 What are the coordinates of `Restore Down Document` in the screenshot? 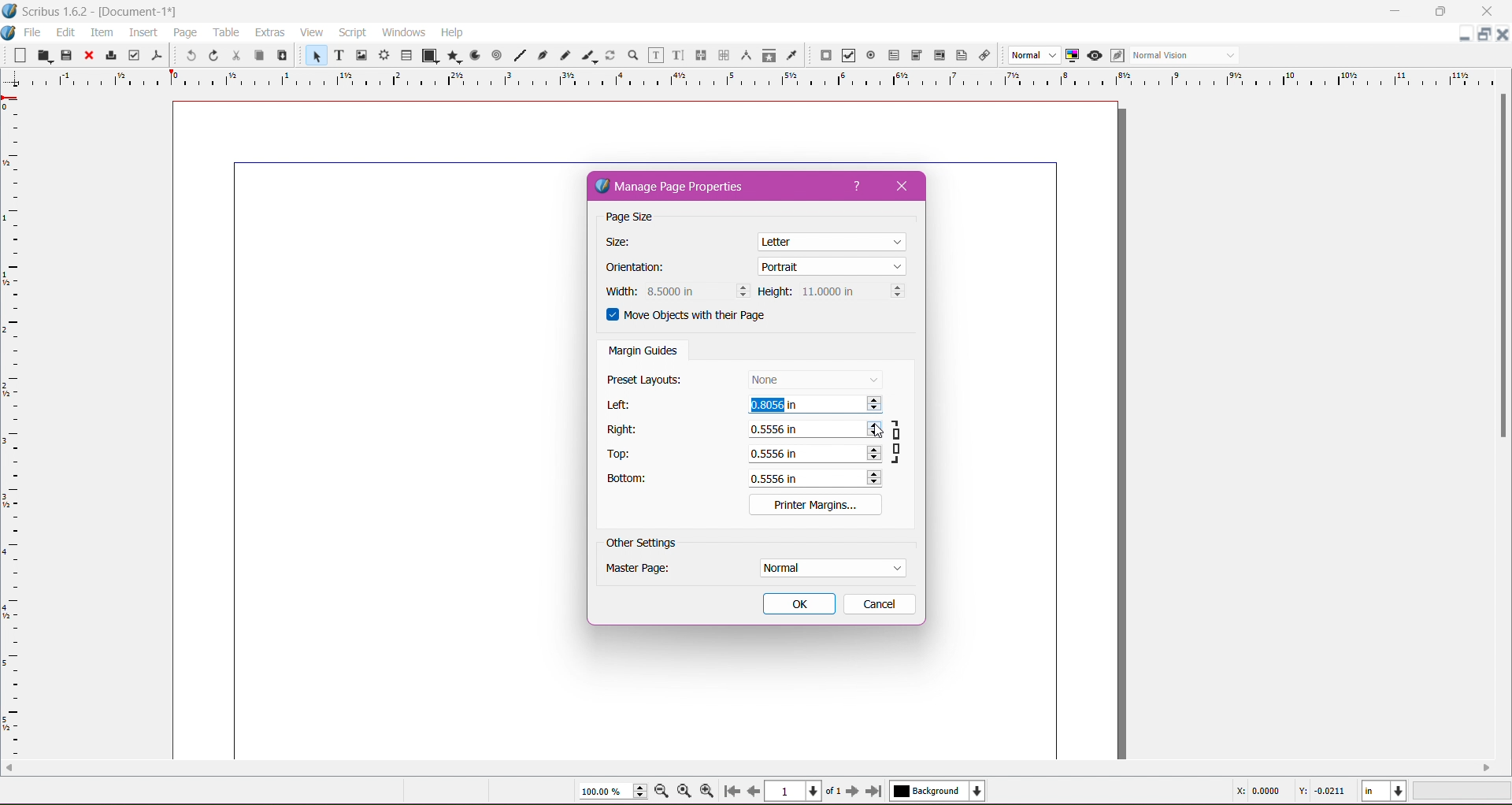 It's located at (1485, 34).